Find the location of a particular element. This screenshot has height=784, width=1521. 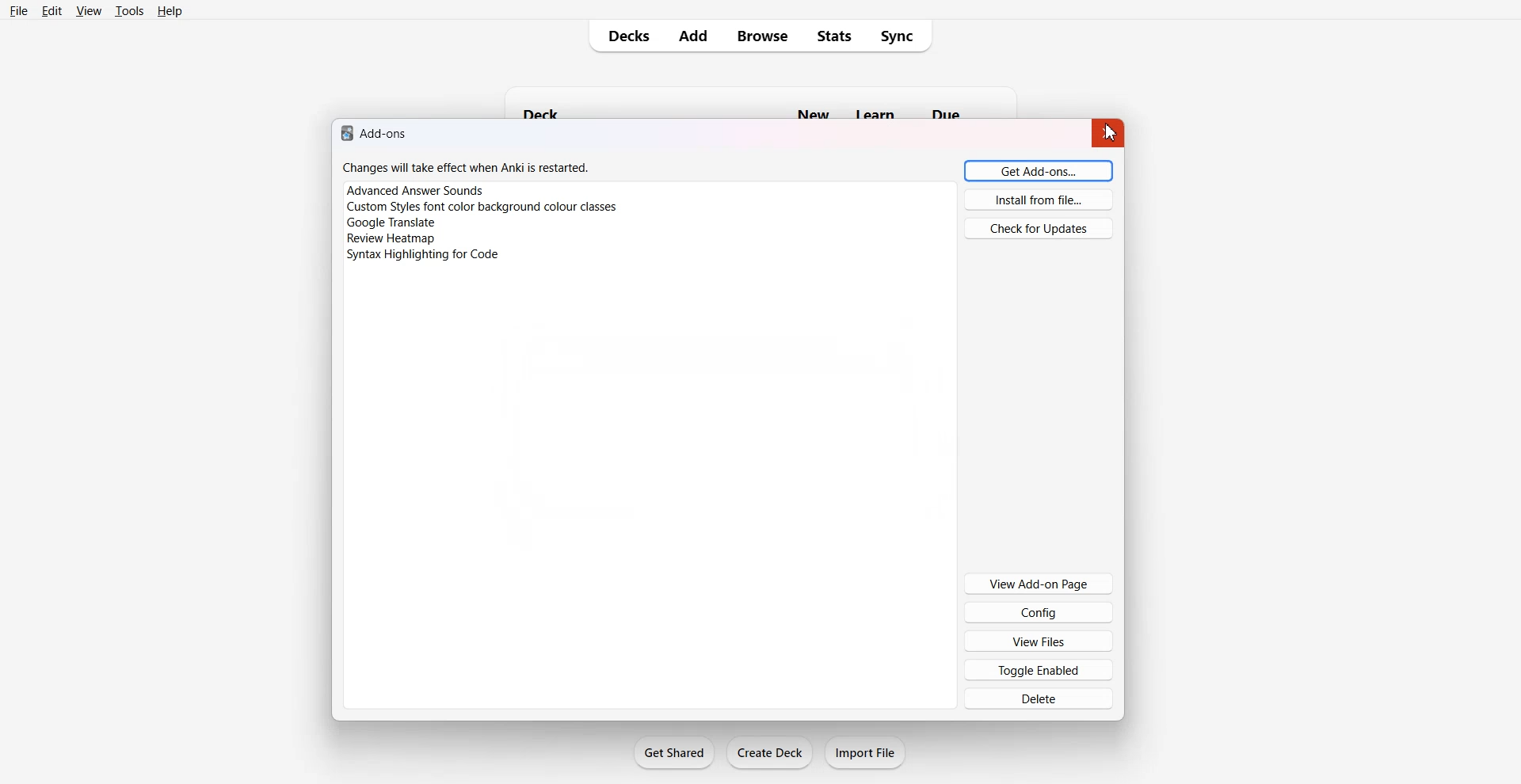

View Files is located at coordinates (1039, 640).